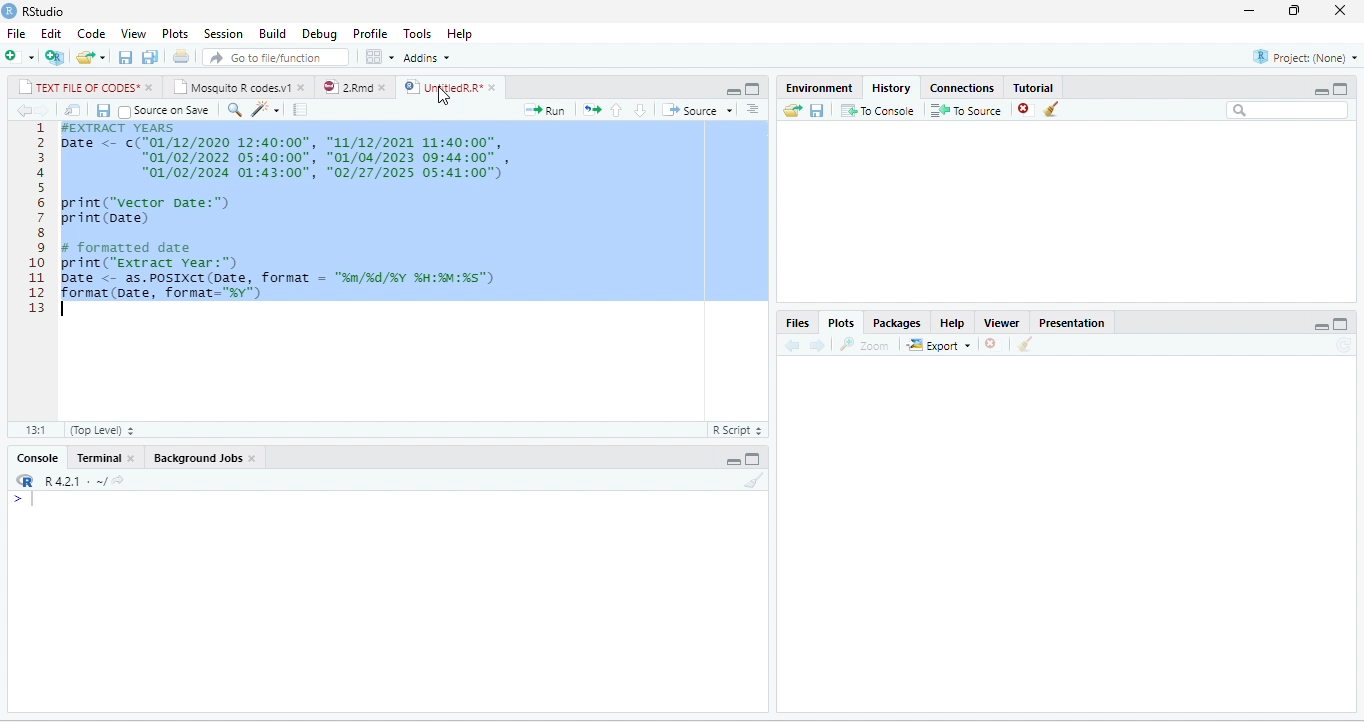  I want to click on close, so click(253, 458).